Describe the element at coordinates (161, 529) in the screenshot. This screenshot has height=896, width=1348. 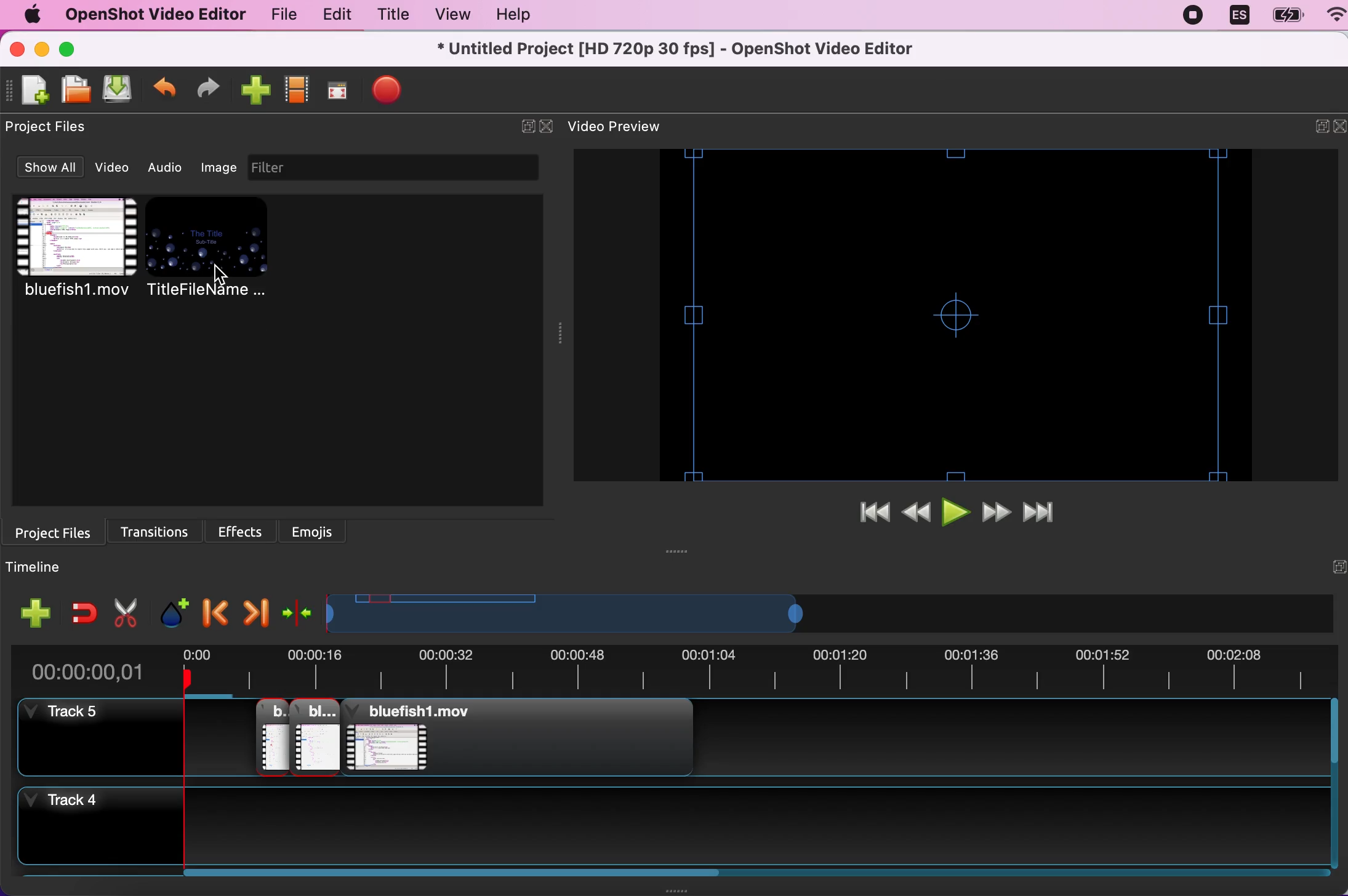
I see `transitions` at that location.